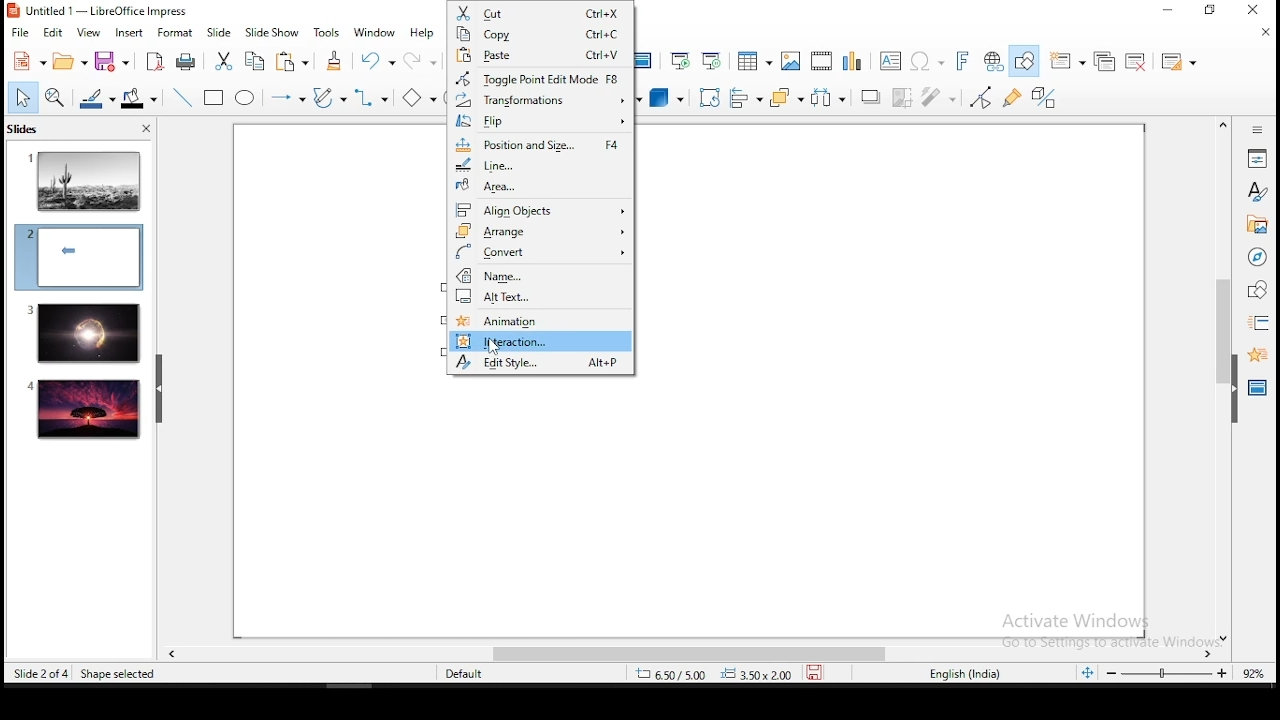  What do you see at coordinates (542, 275) in the screenshot?
I see `name` at bounding box center [542, 275].